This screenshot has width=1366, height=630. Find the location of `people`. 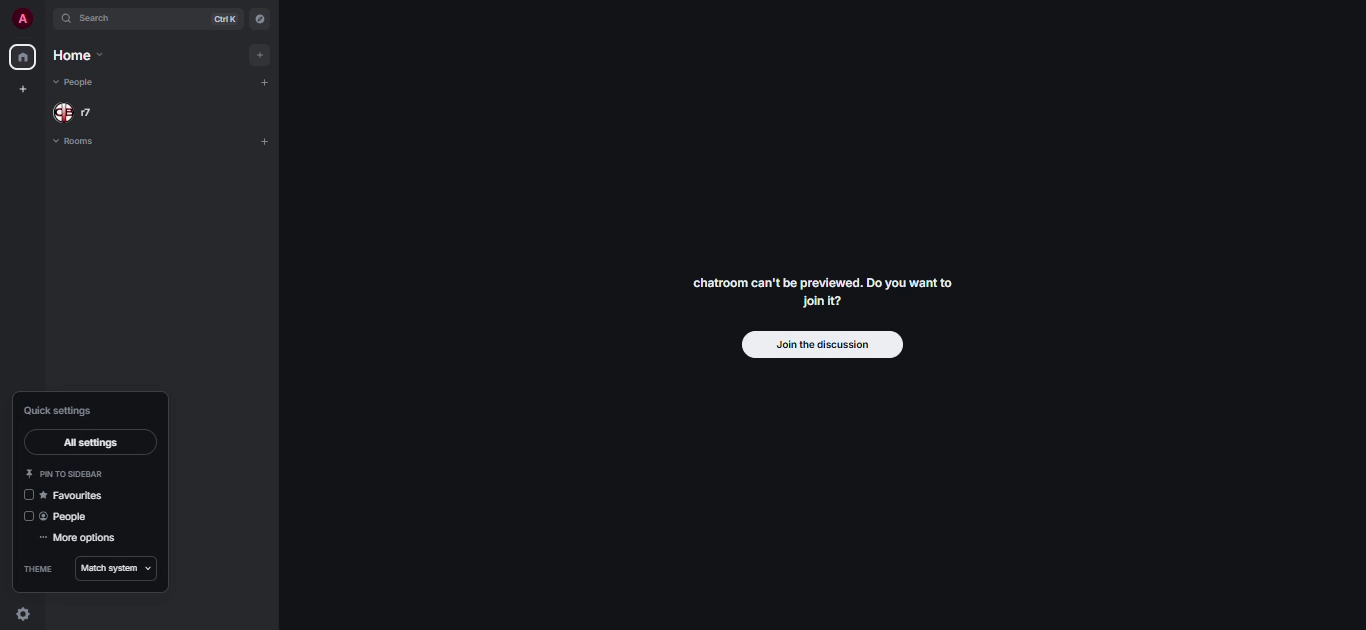

people is located at coordinates (80, 112).